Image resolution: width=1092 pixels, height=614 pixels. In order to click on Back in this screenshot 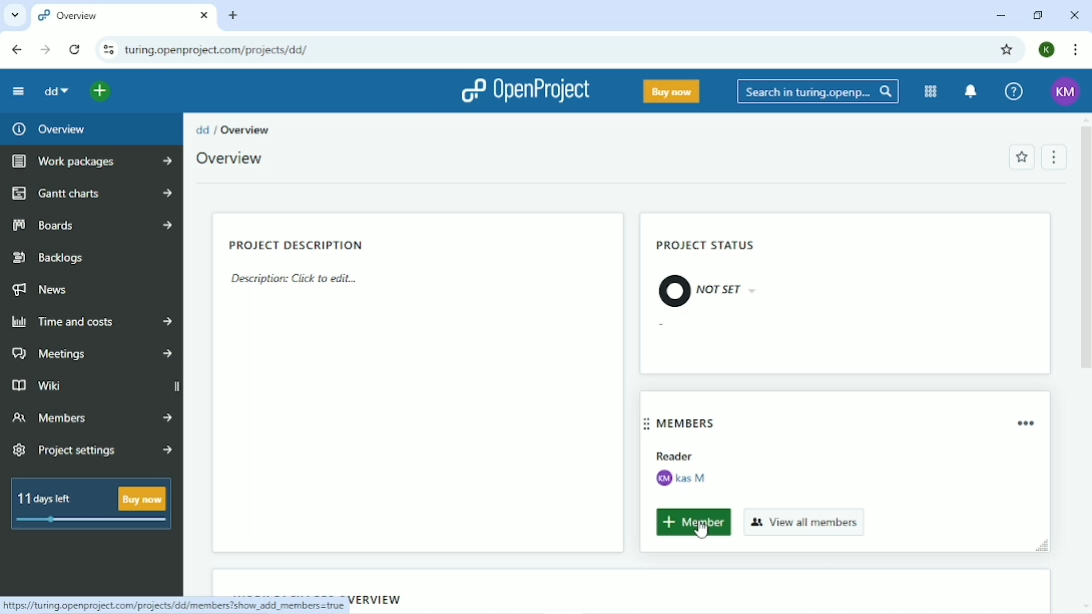, I will do `click(14, 48)`.